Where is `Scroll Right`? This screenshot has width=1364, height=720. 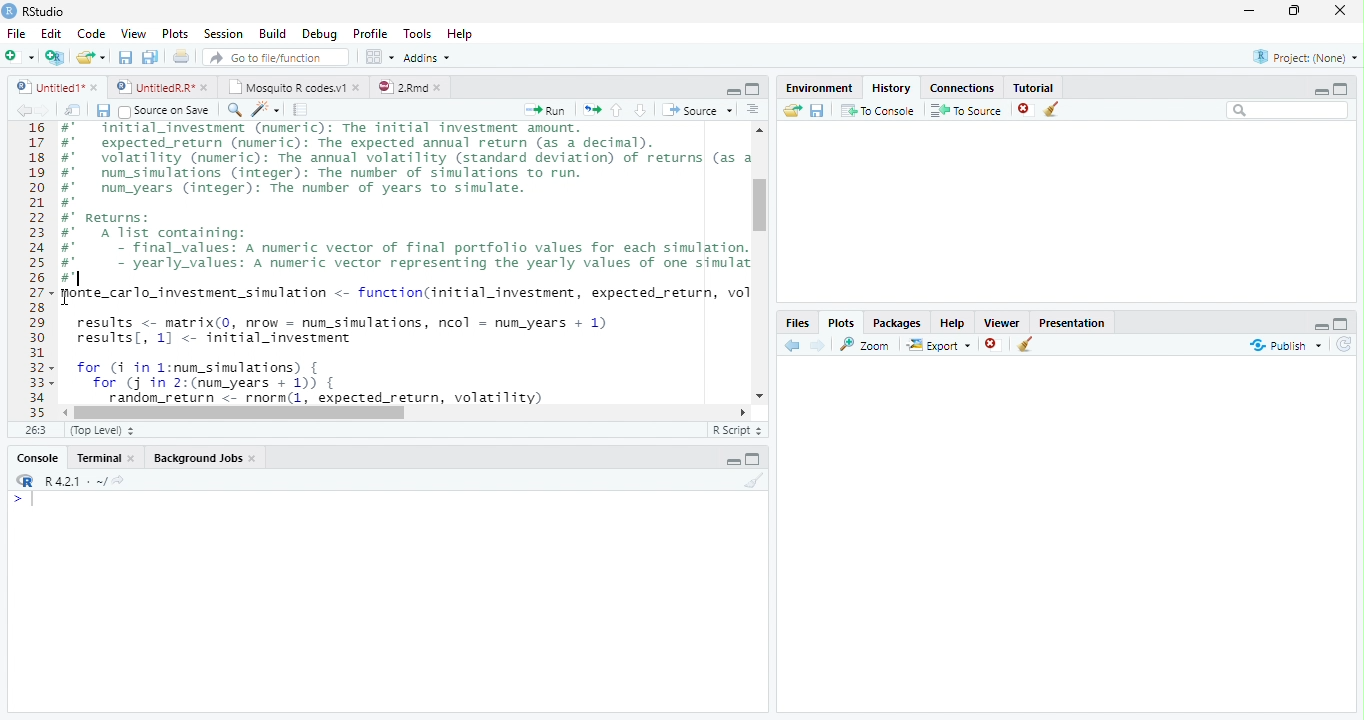 Scroll Right is located at coordinates (743, 411).